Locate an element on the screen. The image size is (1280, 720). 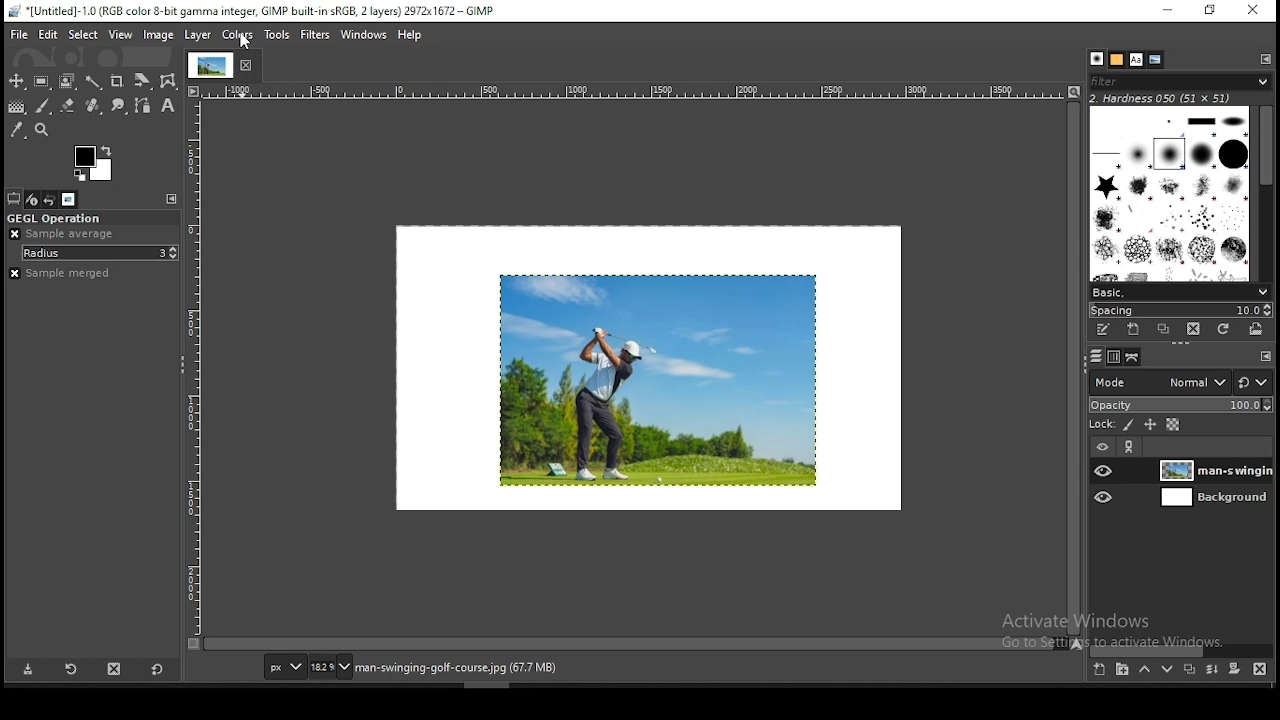
channels is located at coordinates (1113, 359).